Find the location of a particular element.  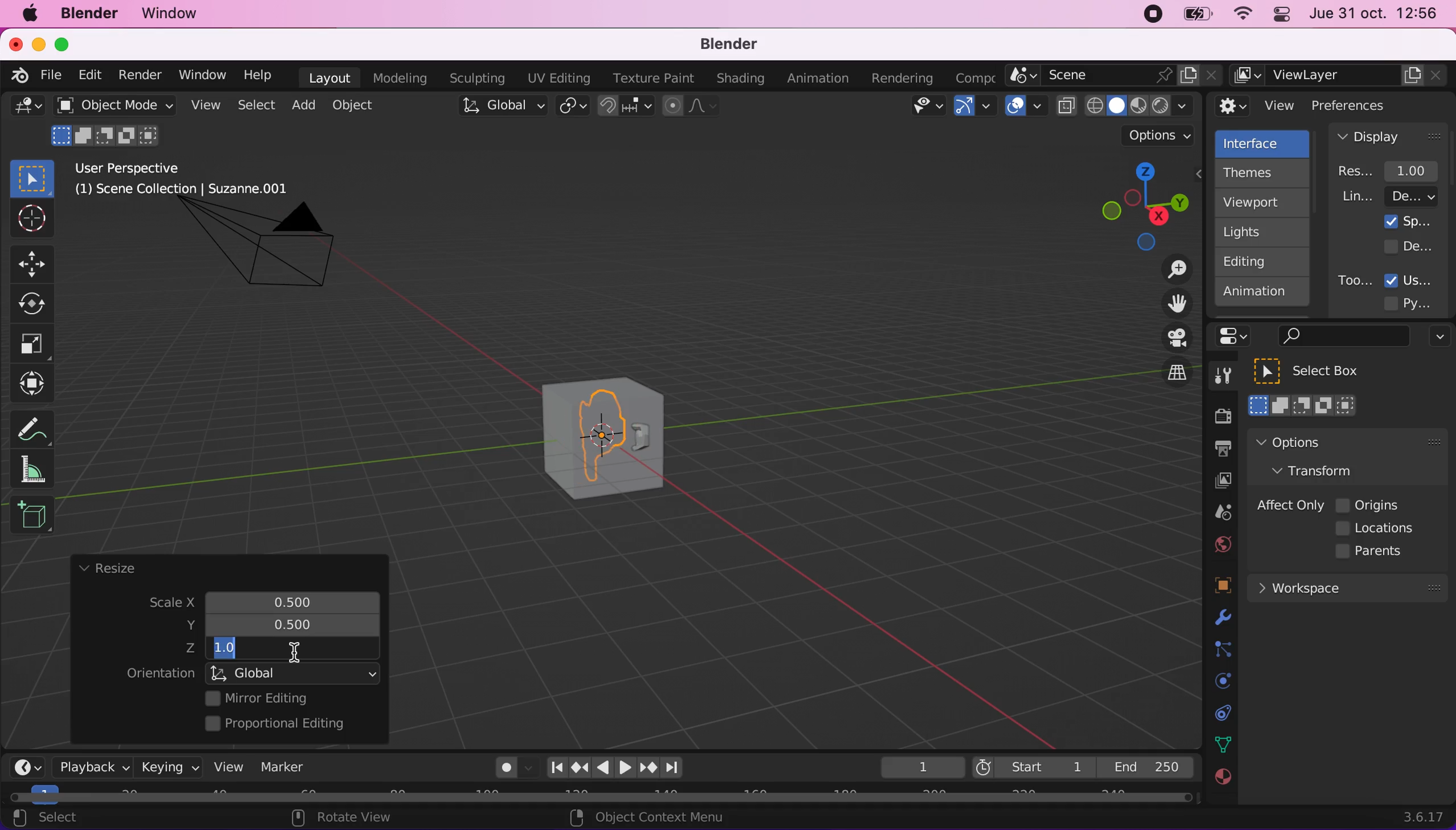

mode is located at coordinates (108, 134).